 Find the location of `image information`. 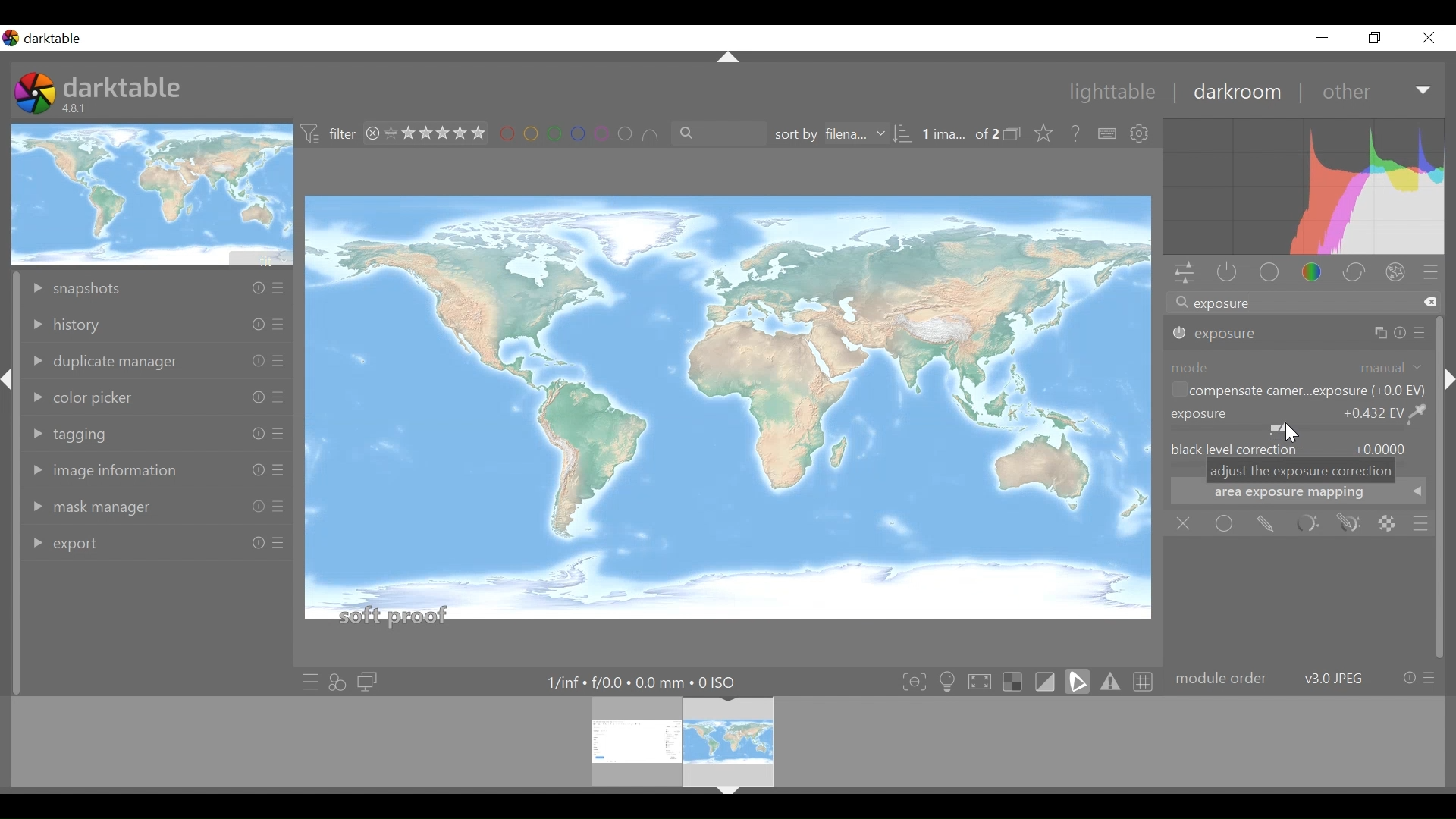

image information is located at coordinates (105, 472).